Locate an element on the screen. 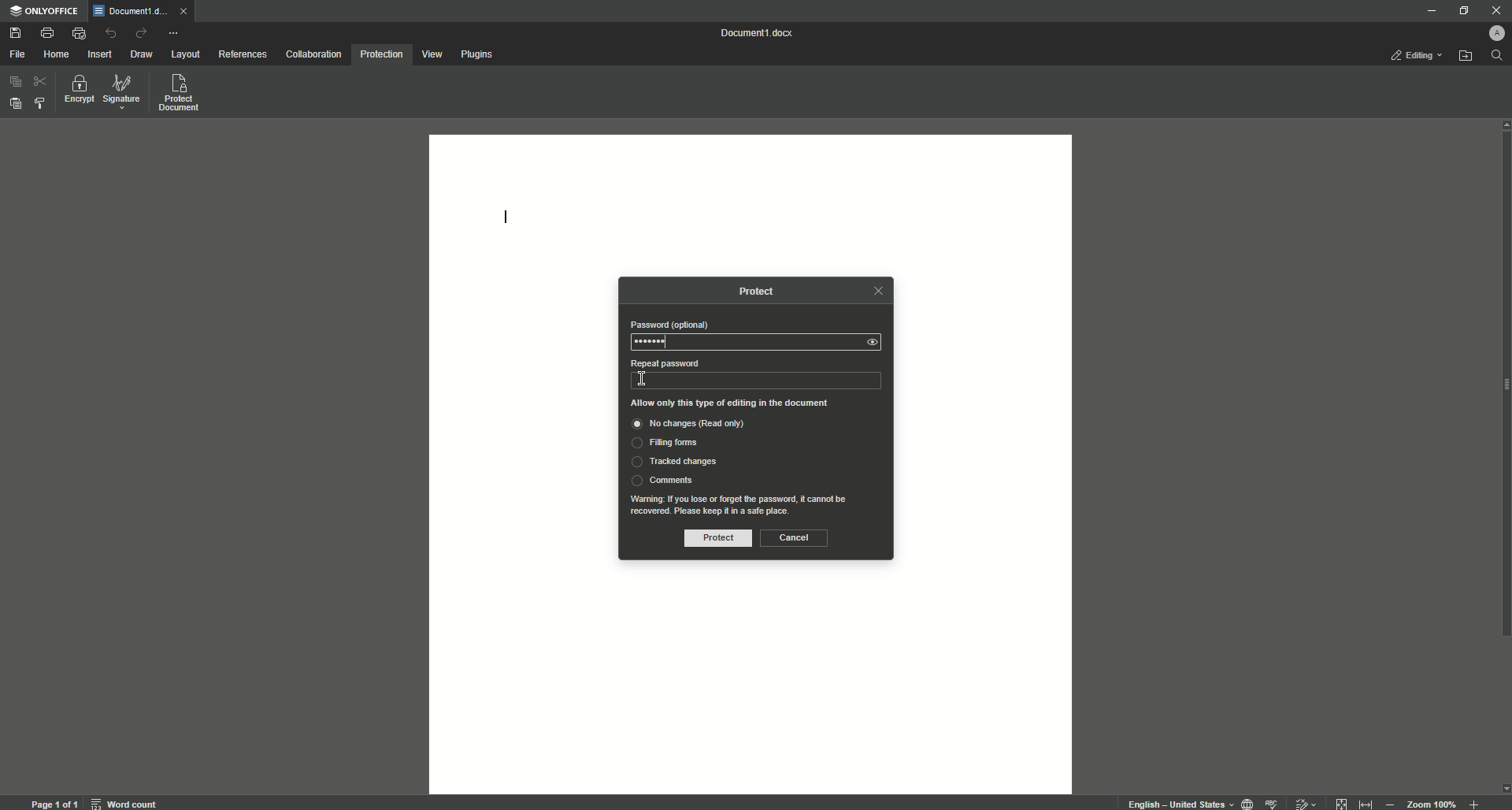 The image size is (1512, 810). close is located at coordinates (877, 291).